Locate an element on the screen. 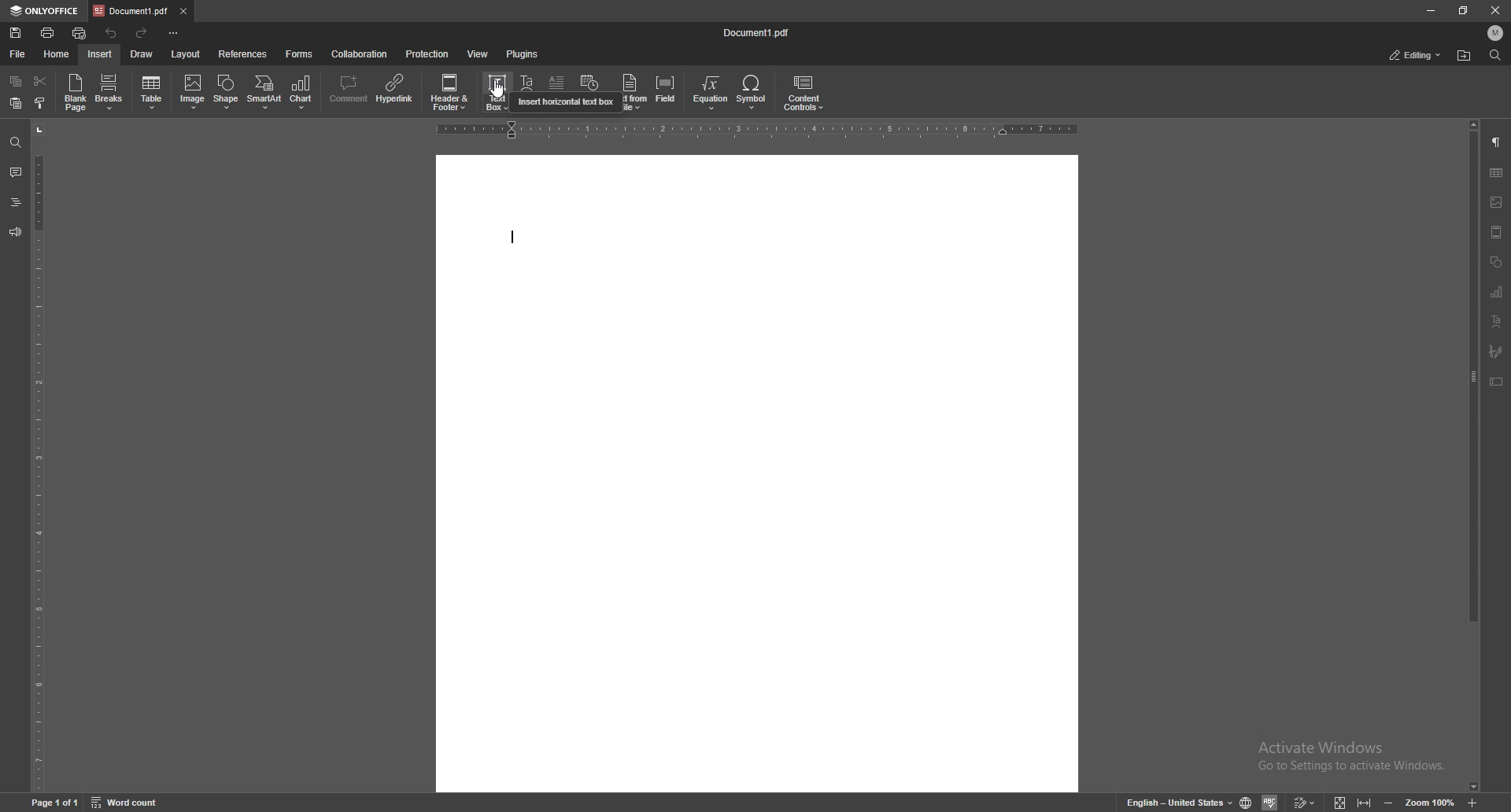 This screenshot has height=812, width=1511. shapes is located at coordinates (1496, 262).